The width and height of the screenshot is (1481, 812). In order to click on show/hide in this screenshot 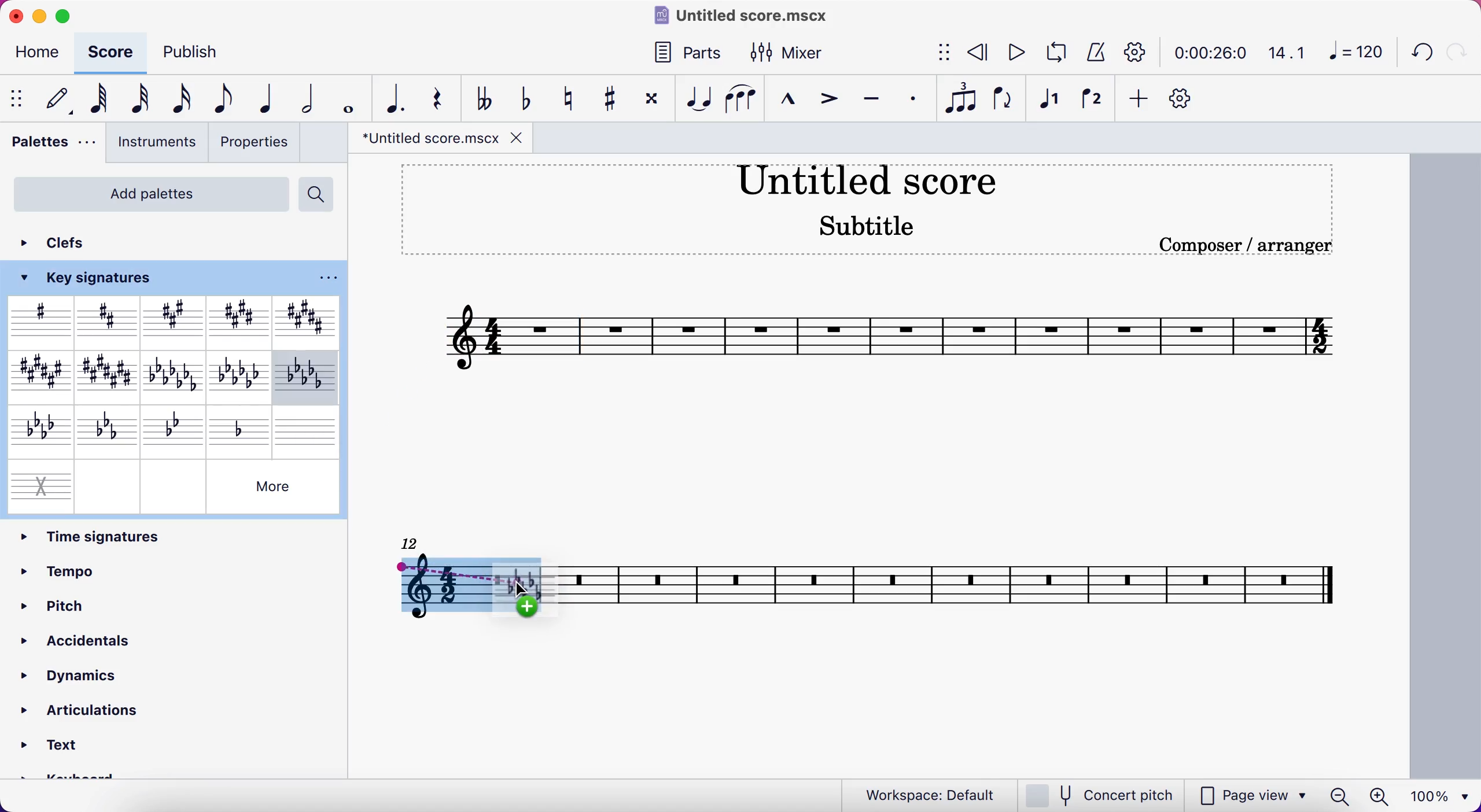, I will do `click(19, 98)`.